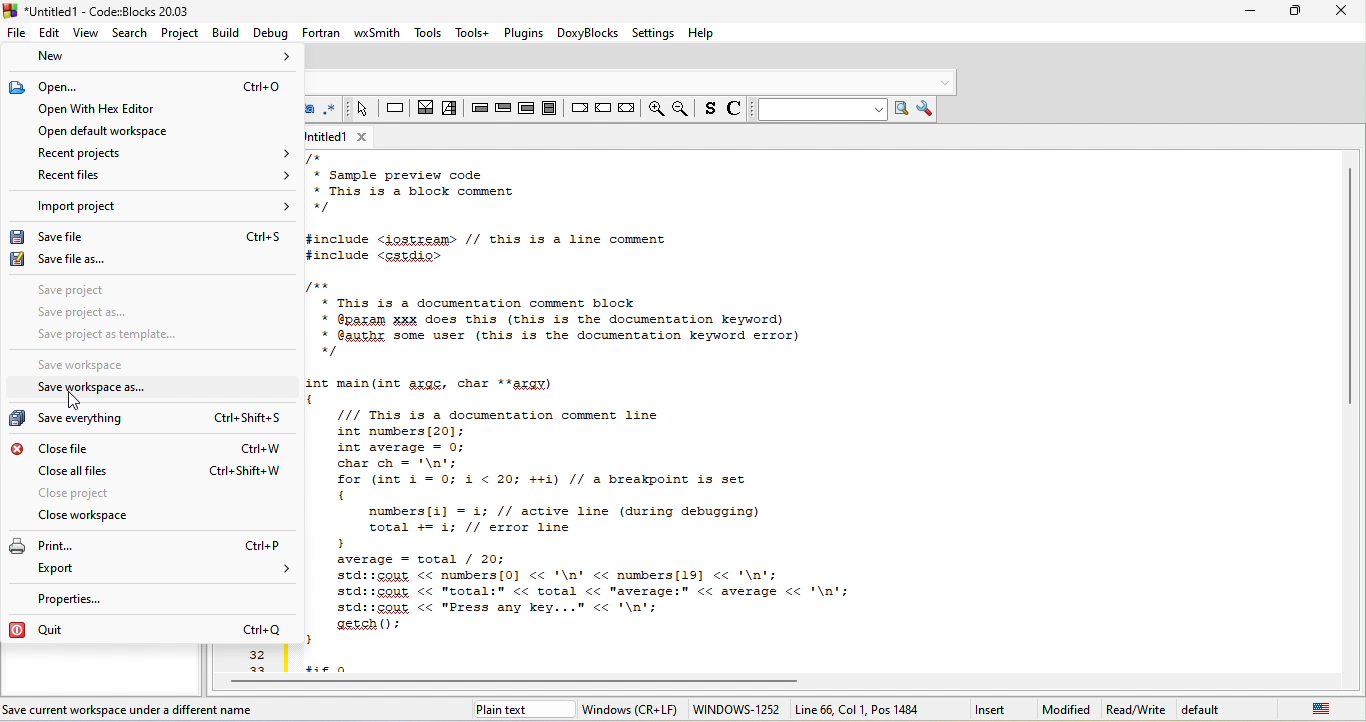  What do you see at coordinates (114, 313) in the screenshot?
I see `save project as` at bounding box center [114, 313].